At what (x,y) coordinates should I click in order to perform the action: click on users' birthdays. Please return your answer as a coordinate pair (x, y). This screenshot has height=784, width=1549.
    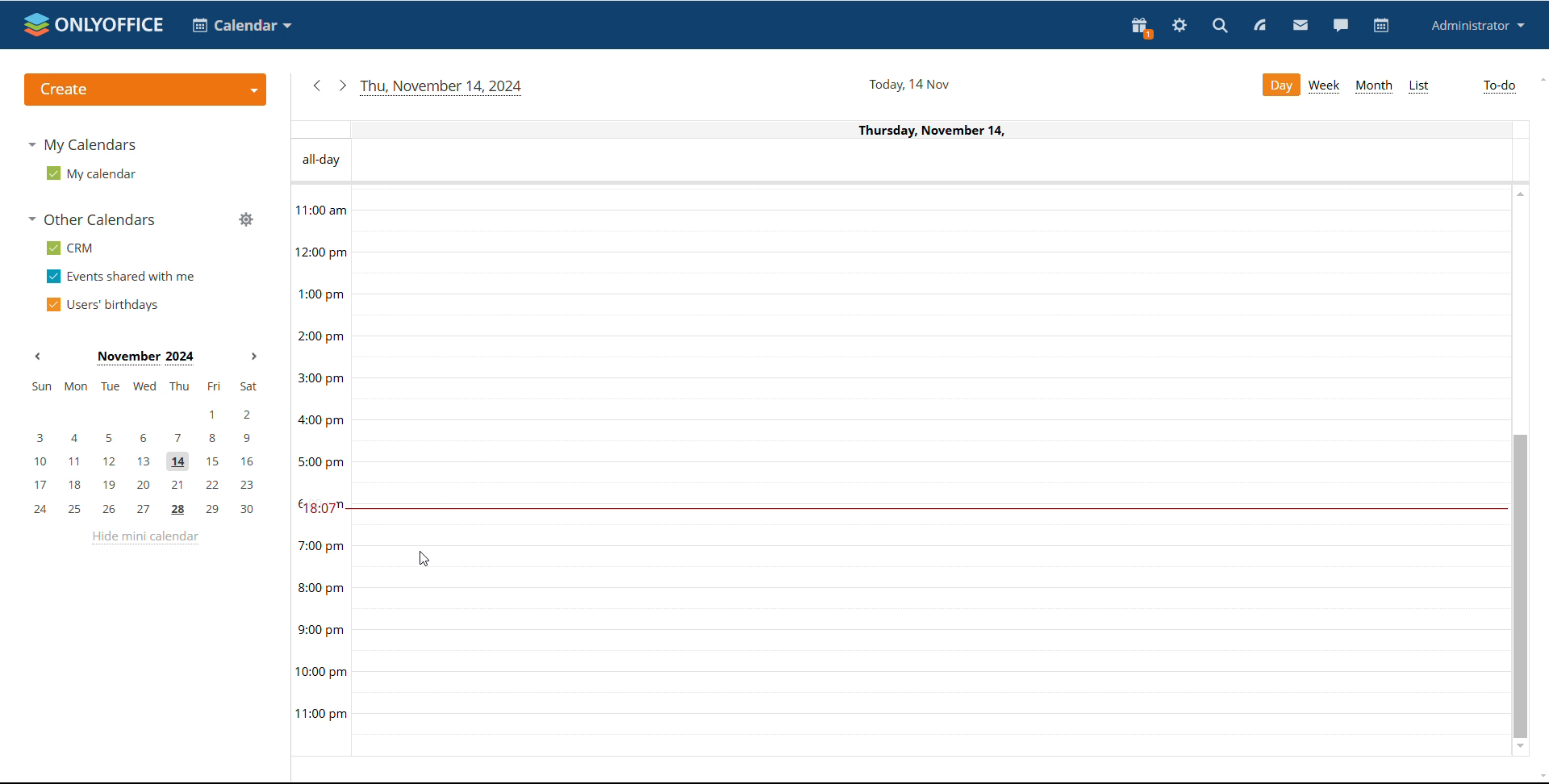
    Looking at the image, I should click on (99, 306).